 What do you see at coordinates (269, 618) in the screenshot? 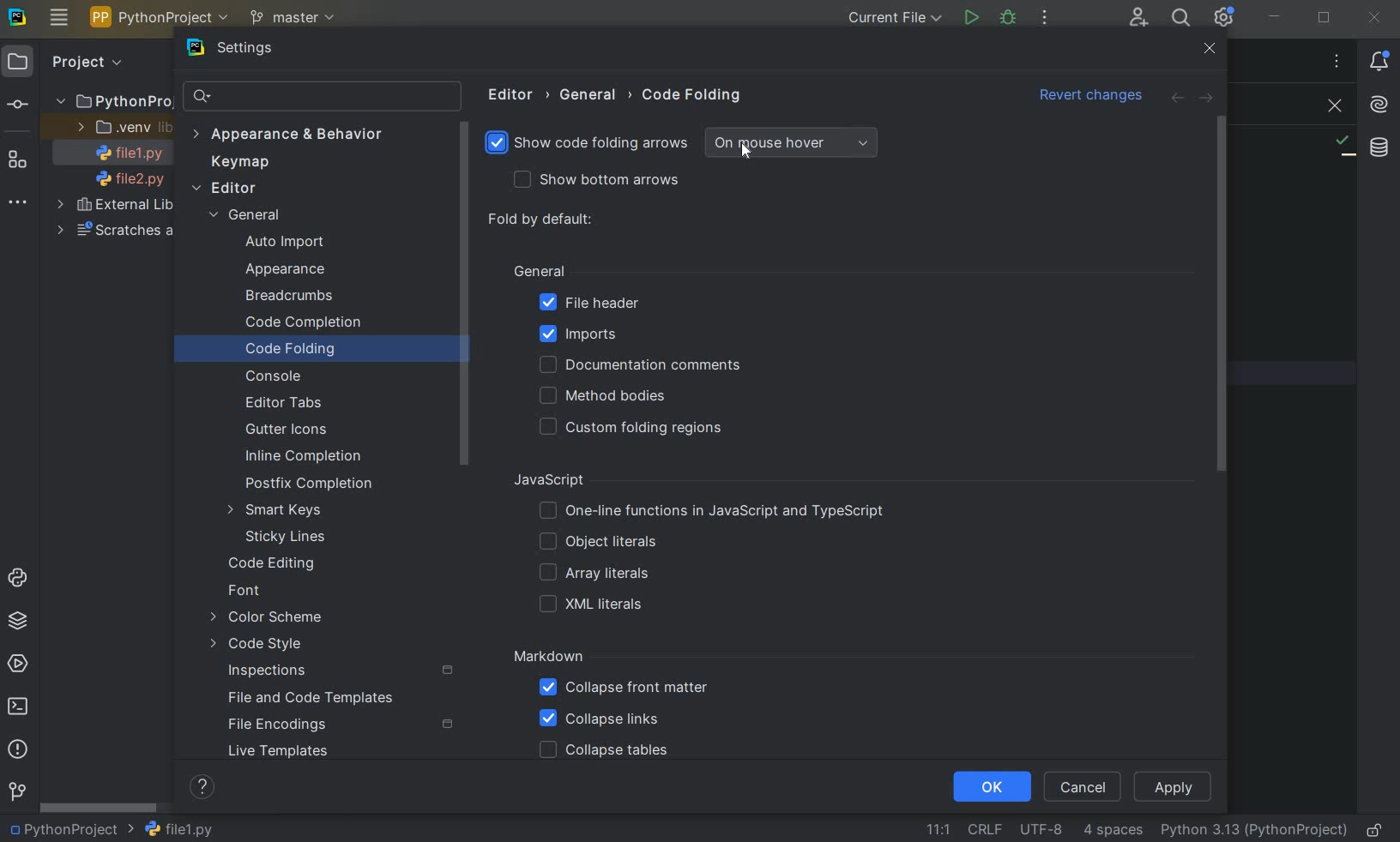
I see `COLOR SCHEME` at bounding box center [269, 618].